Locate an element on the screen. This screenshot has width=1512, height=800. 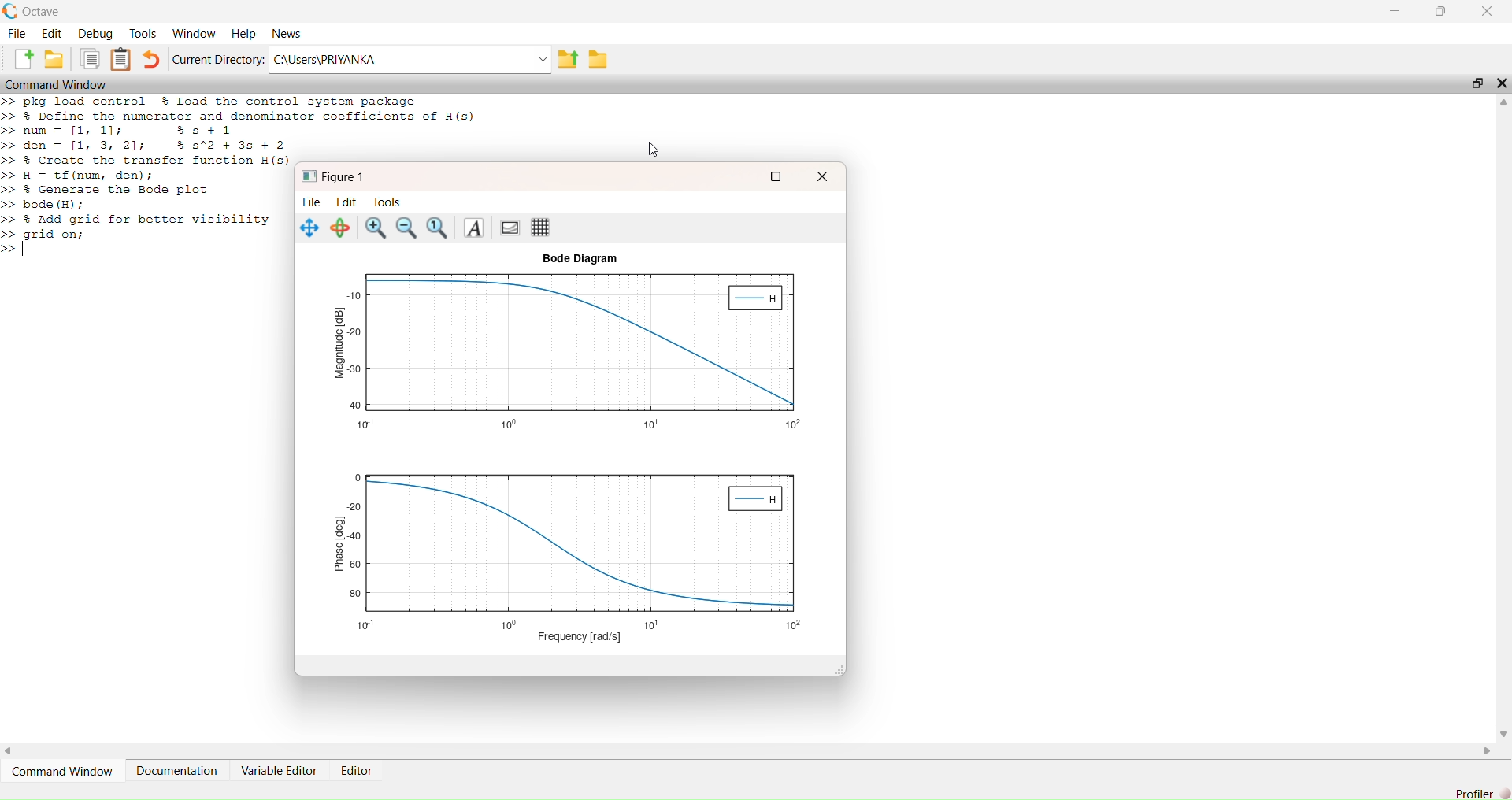
Paste is located at coordinates (120, 58).